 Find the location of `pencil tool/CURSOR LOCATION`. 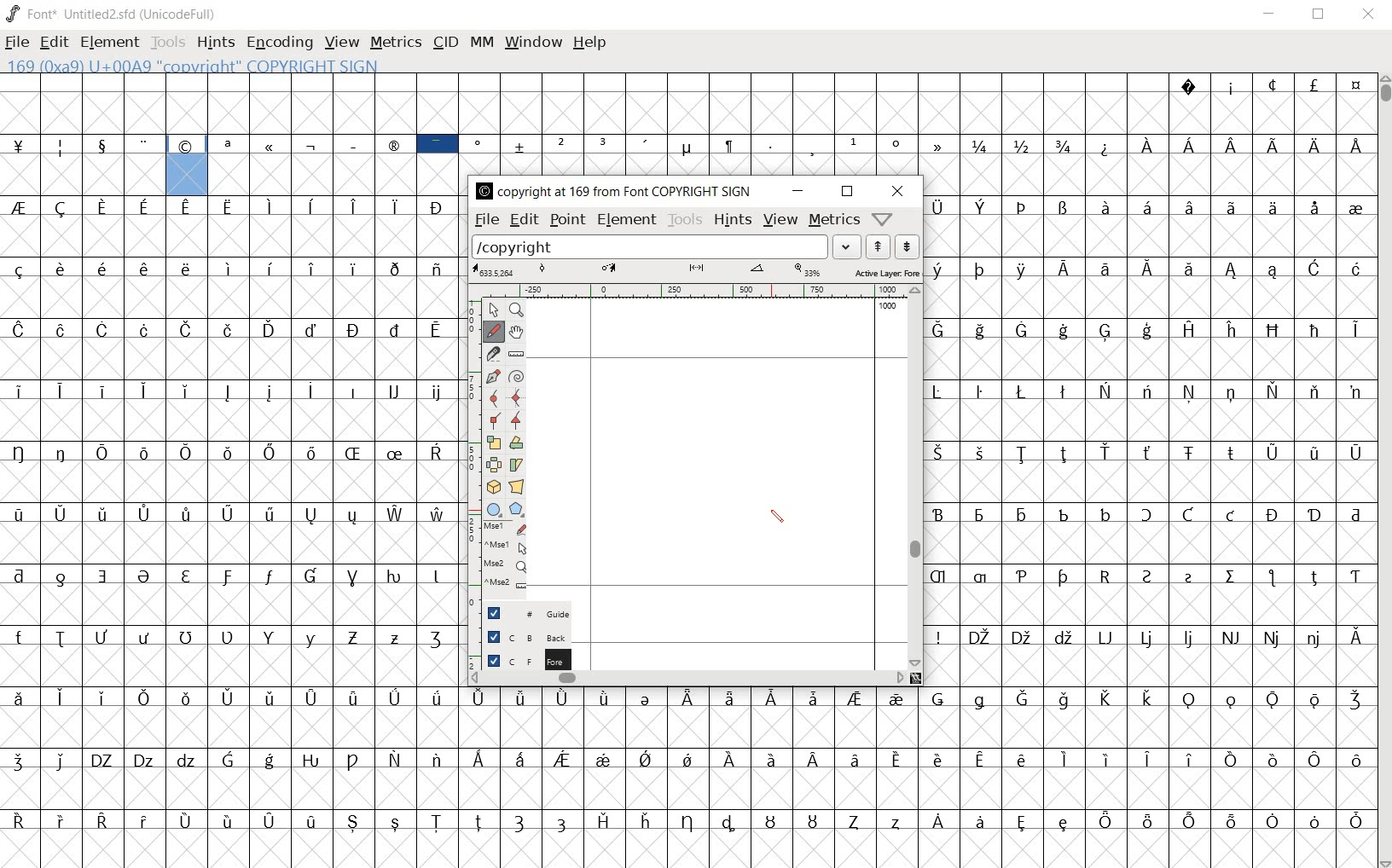

pencil tool/CURSOR LOCATION is located at coordinates (781, 521).